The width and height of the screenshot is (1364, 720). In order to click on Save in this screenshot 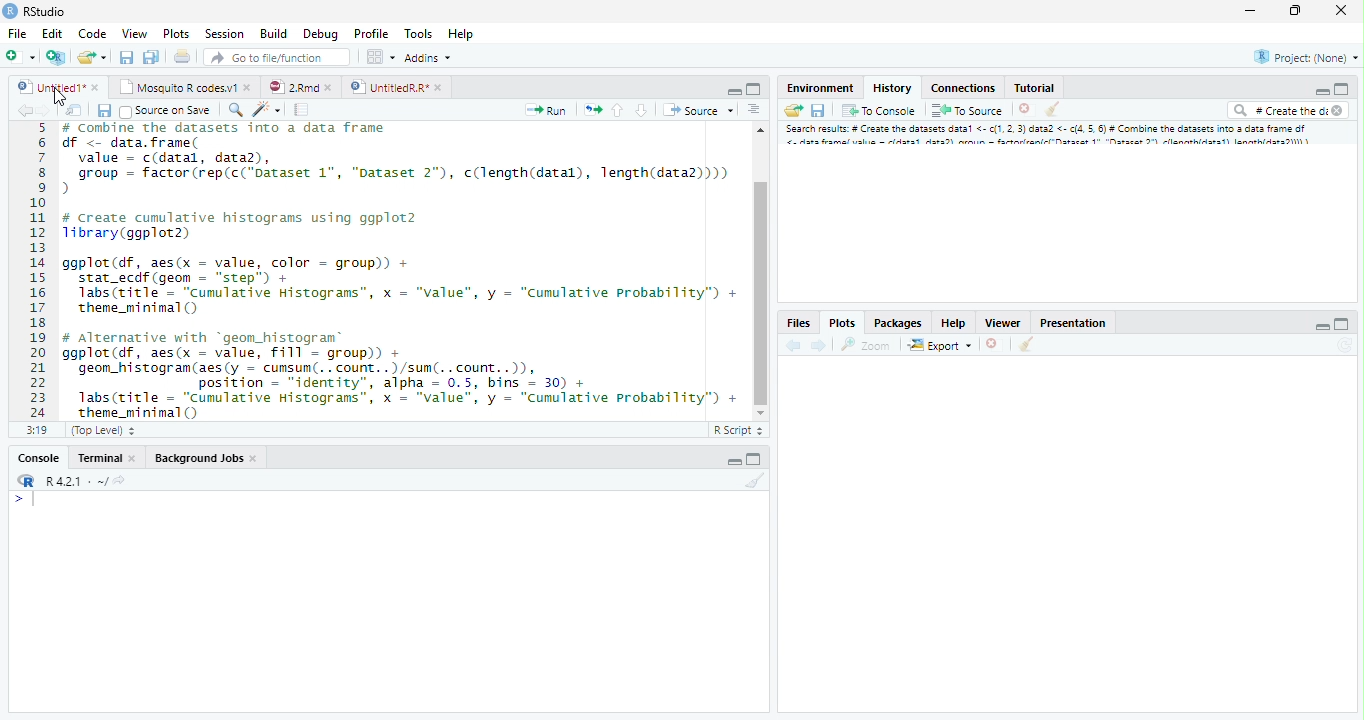, I will do `click(822, 109)`.